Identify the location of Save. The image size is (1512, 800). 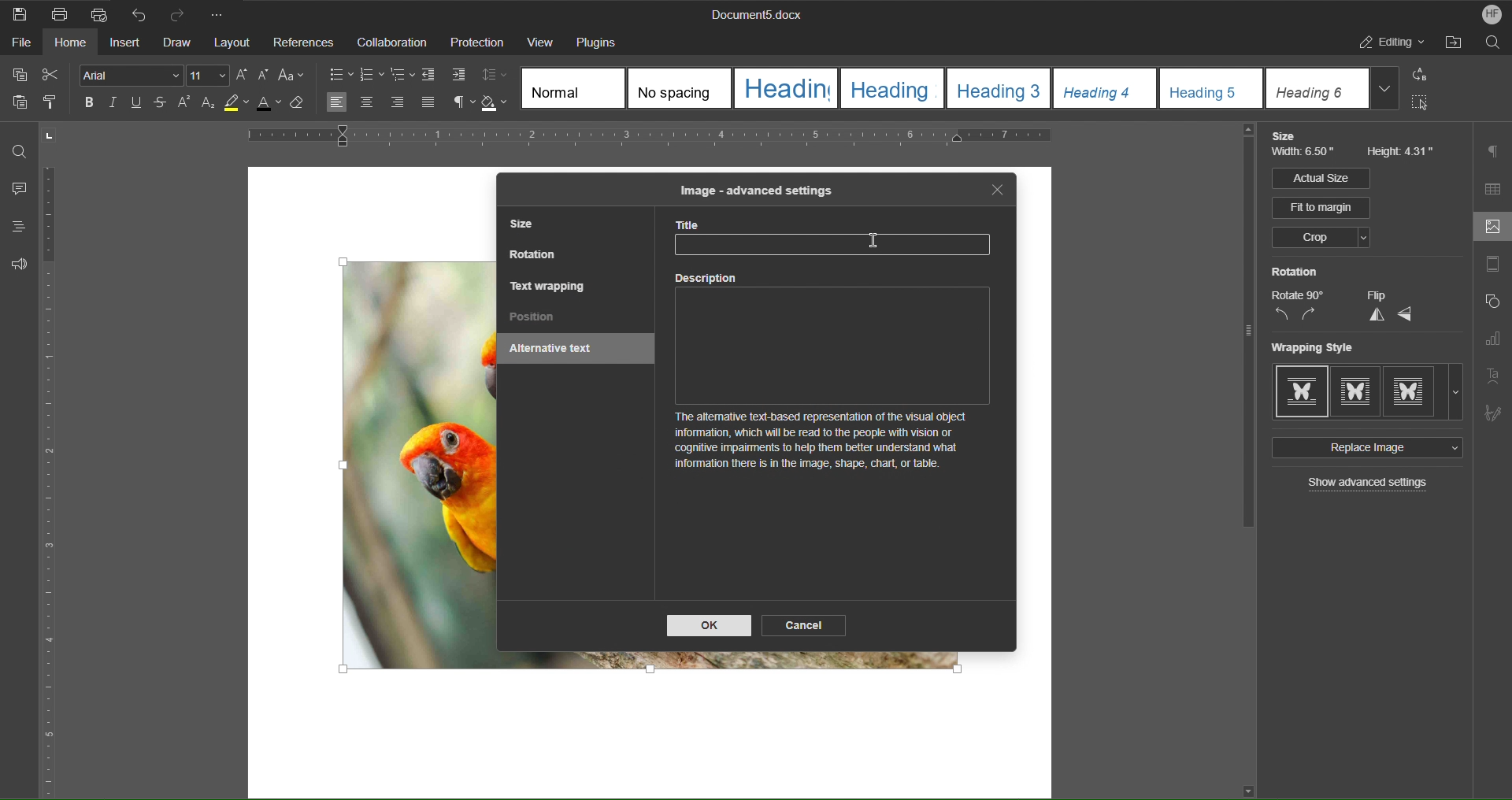
(20, 13).